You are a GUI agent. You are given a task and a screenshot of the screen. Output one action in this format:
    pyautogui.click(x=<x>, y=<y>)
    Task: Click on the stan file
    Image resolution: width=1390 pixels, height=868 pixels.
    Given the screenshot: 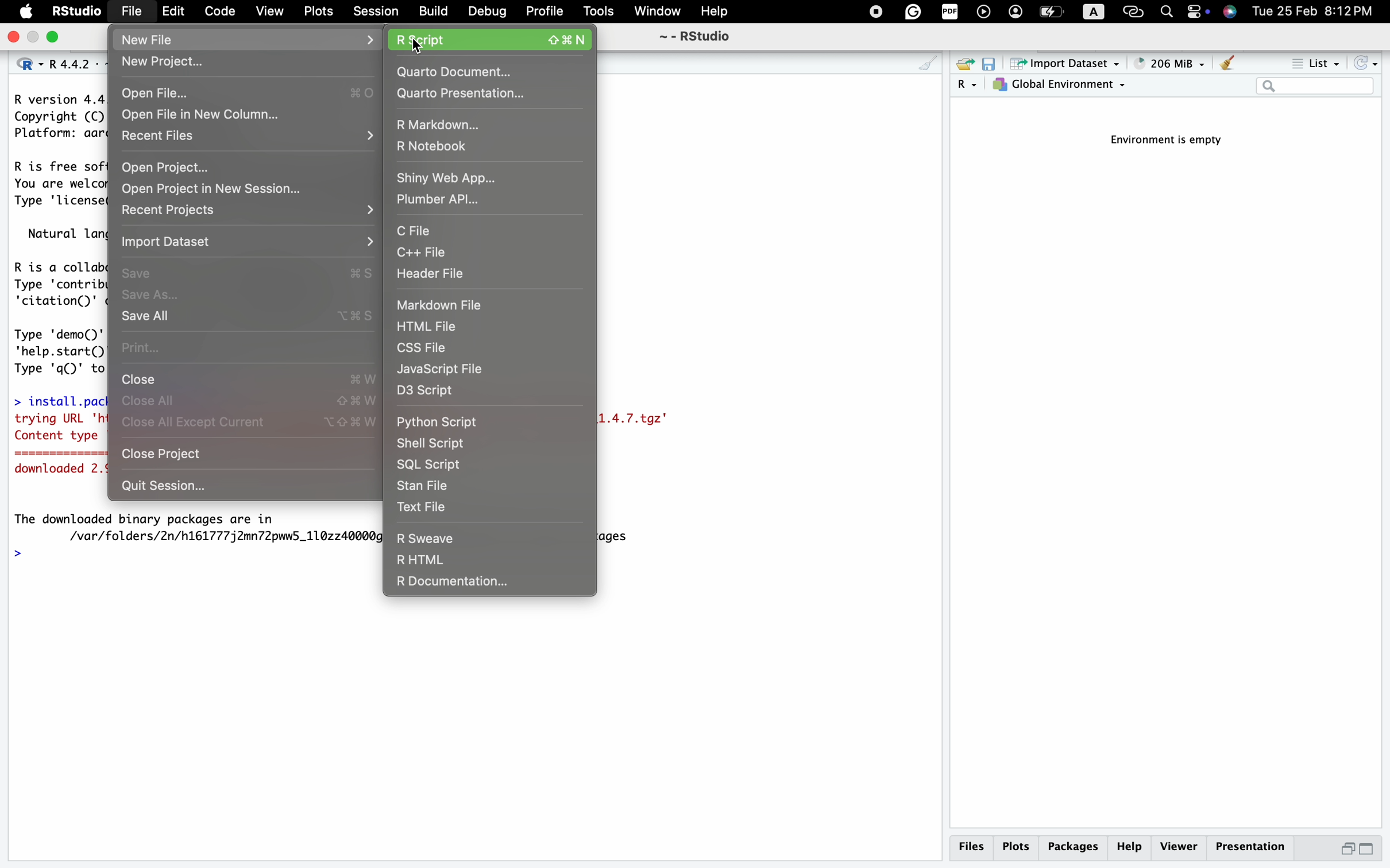 What is the action you would take?
    pyautogui.click(x=467, y=486)
    